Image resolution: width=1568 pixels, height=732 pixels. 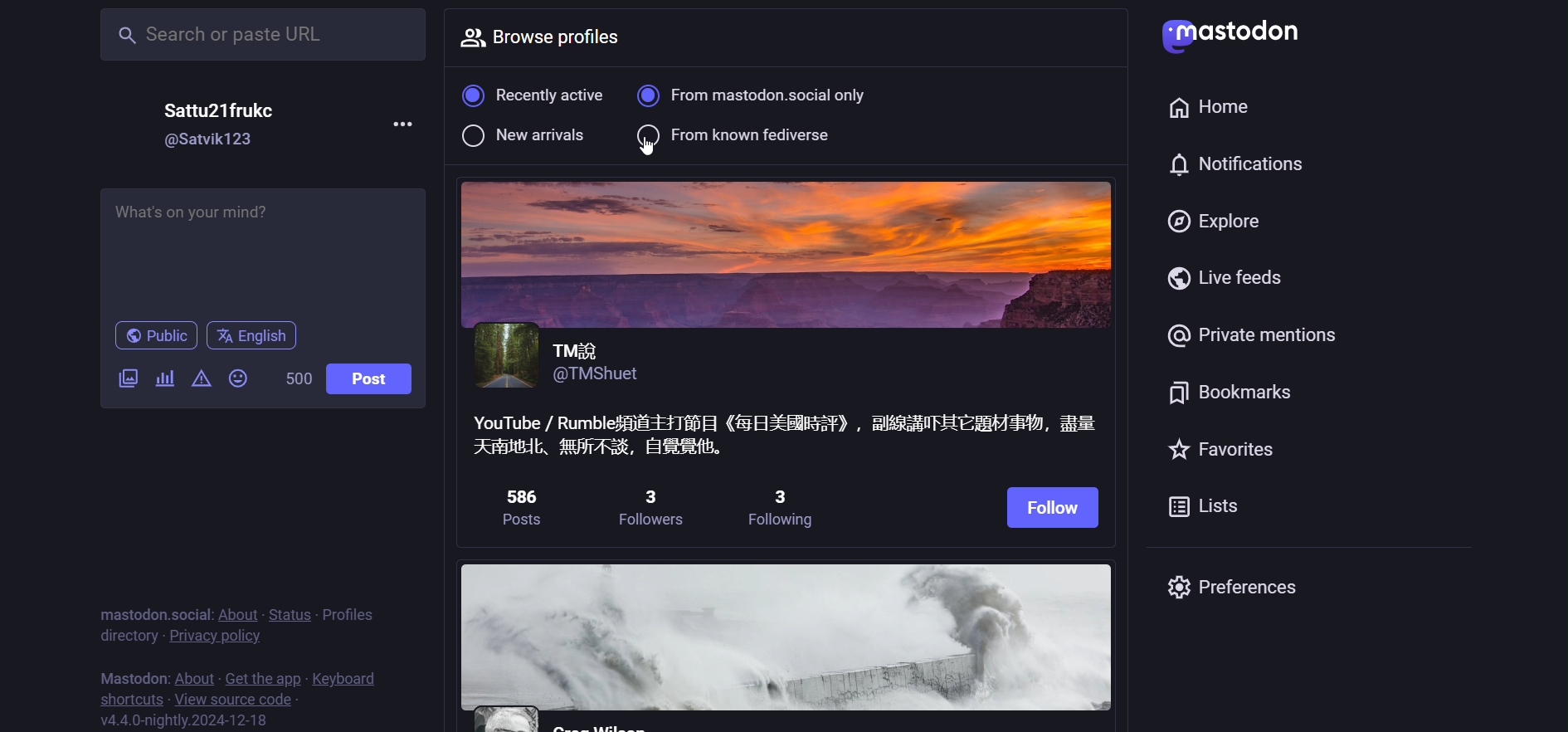 What do you see at coordinates (222, 108) in the screenshot?
I see `Sattu21frukc` at bounding box center [222, 108].